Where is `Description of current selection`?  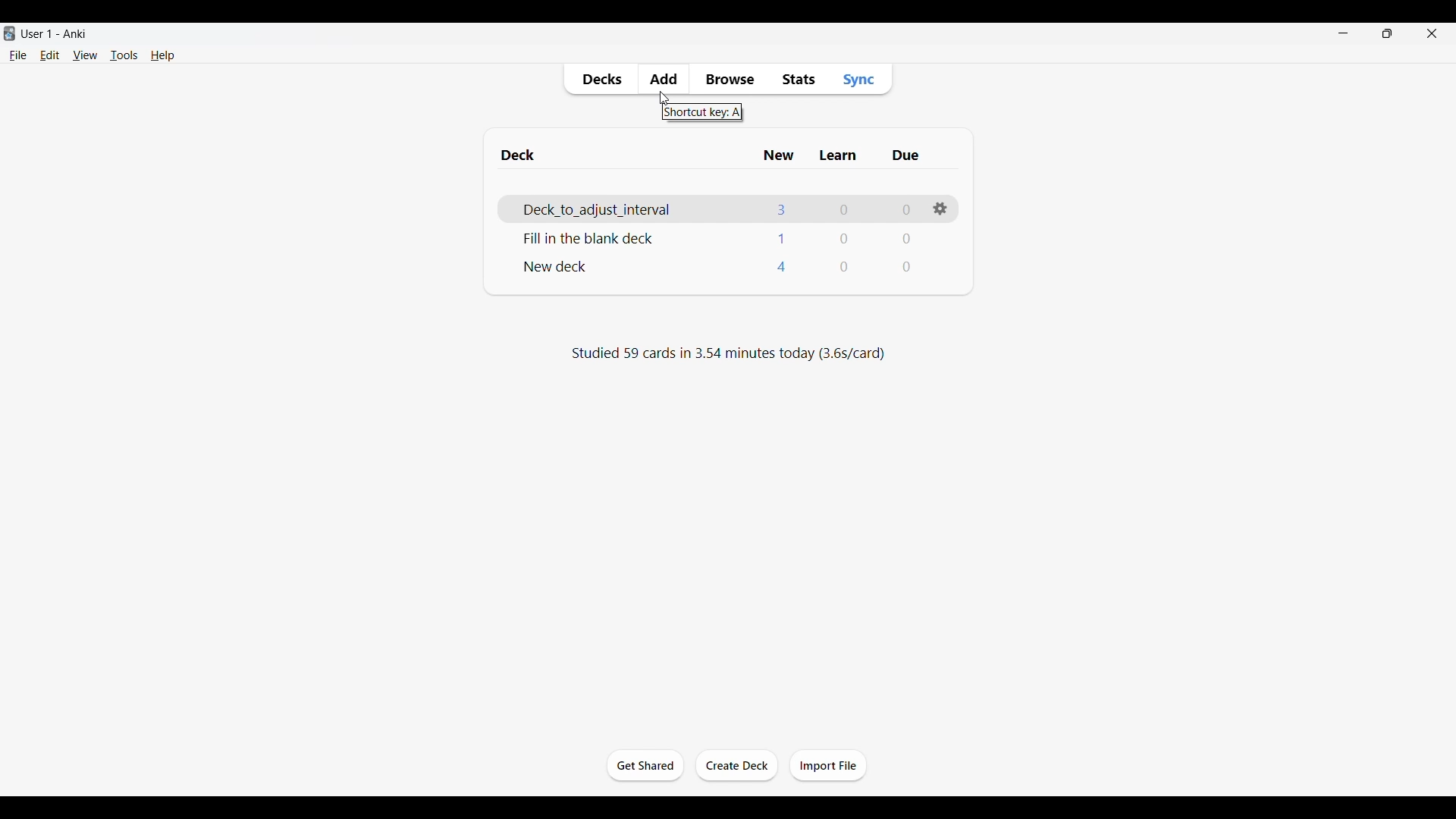
Description of current selection is located at coordinates (701, 113).